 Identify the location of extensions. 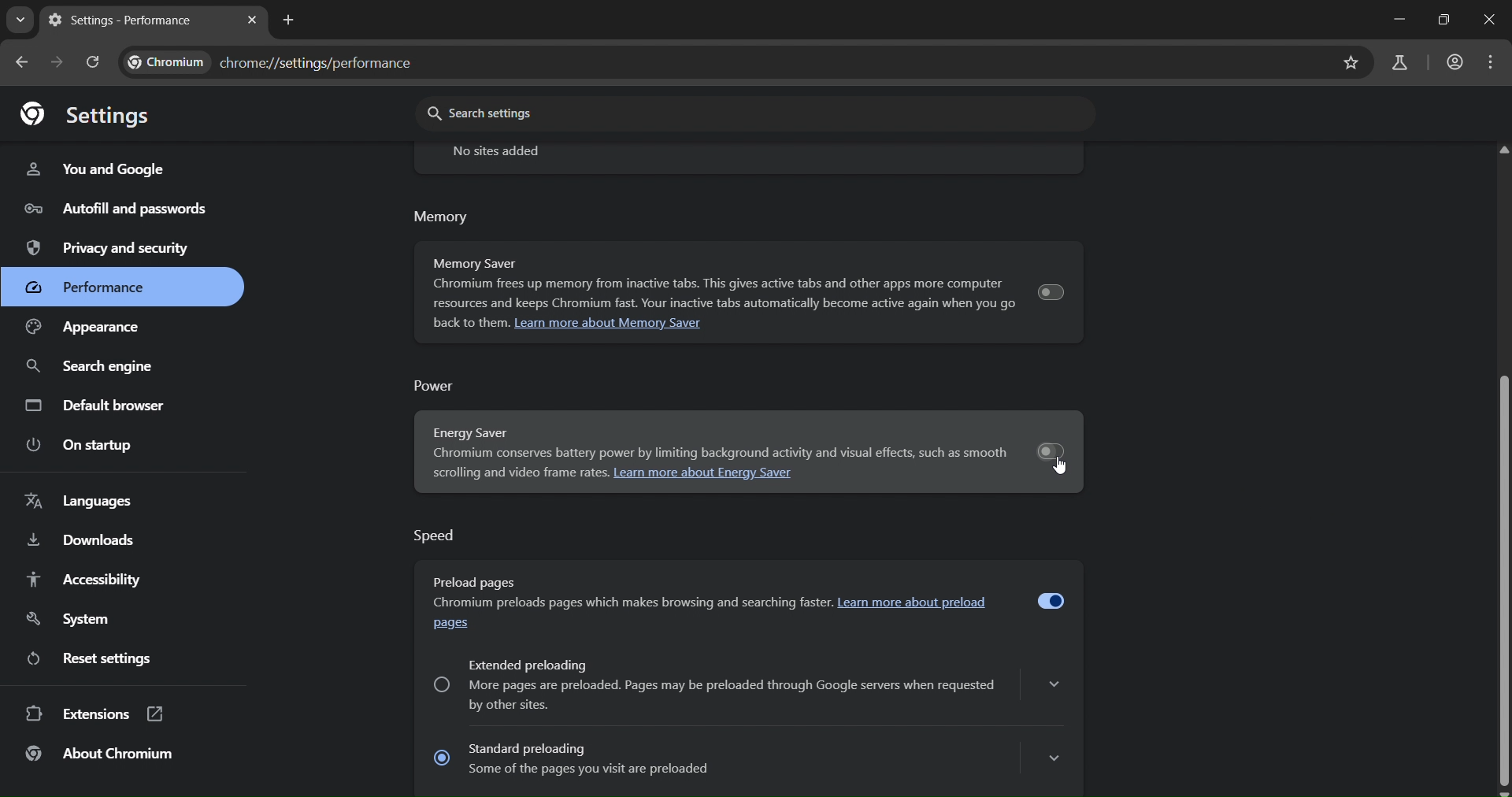
(94, 712).